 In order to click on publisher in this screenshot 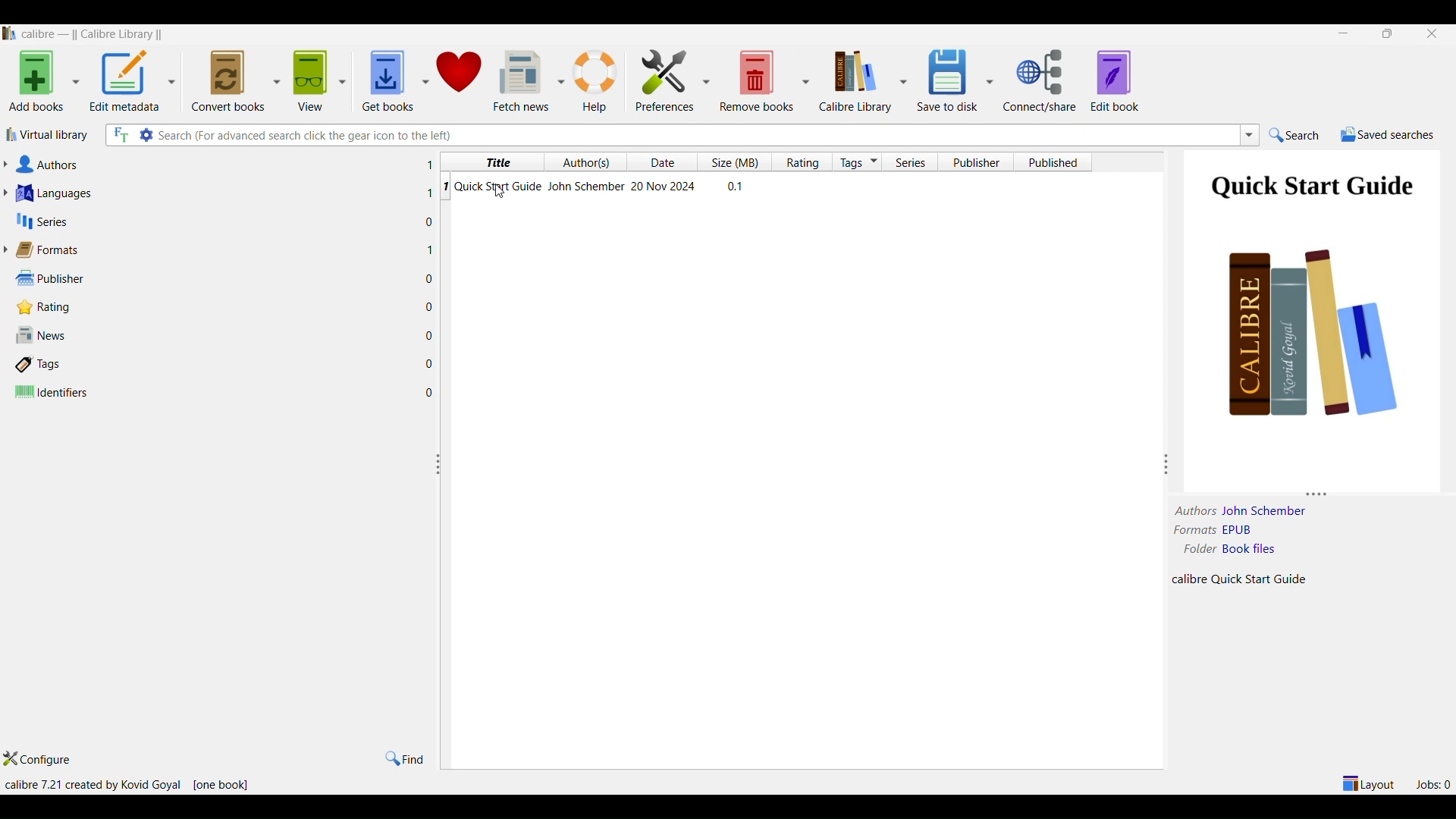, I will do `click(976, 161)`.